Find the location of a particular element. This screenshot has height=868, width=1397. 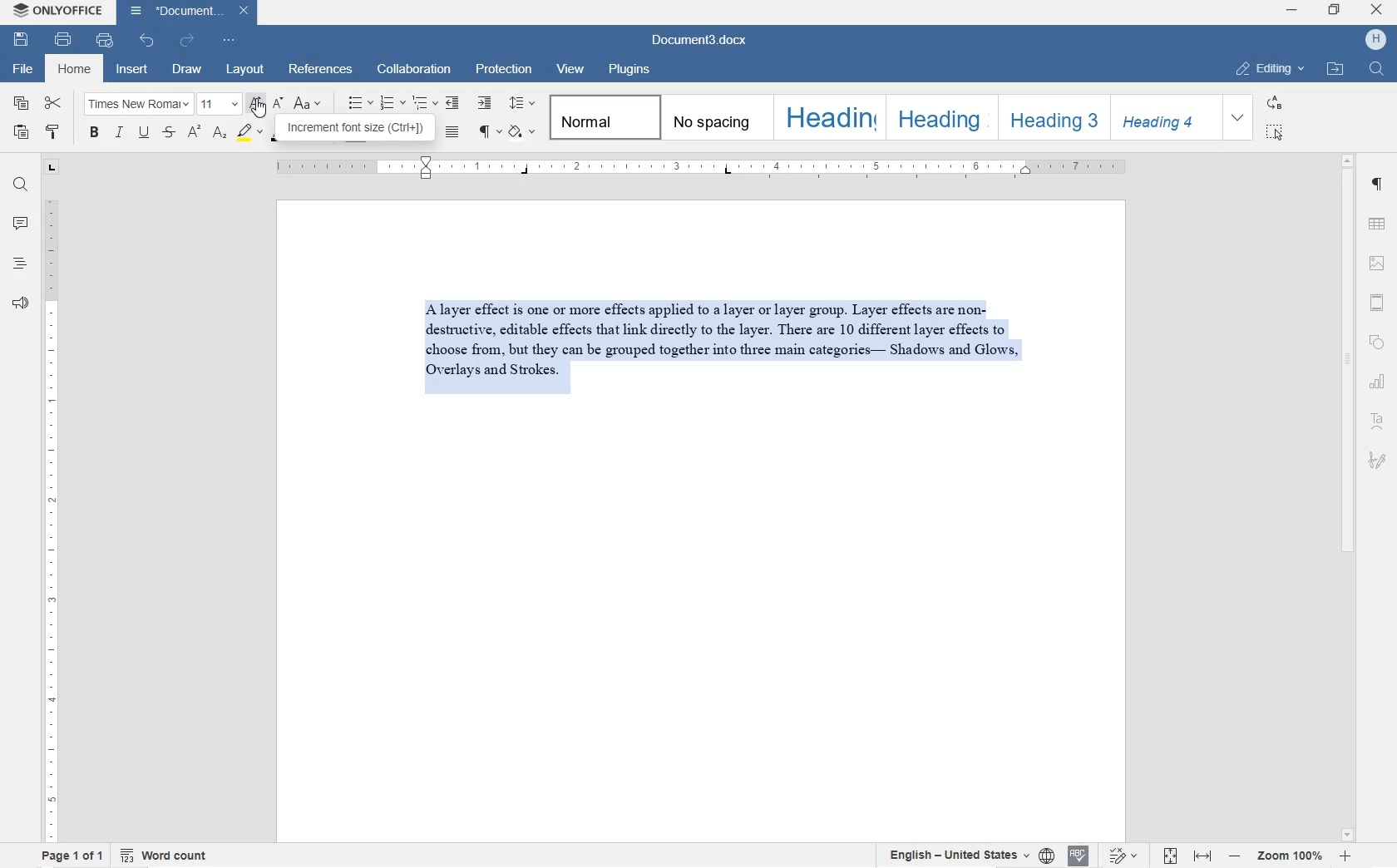

SUPERSCRIPT is located at coordinates (194, 135).